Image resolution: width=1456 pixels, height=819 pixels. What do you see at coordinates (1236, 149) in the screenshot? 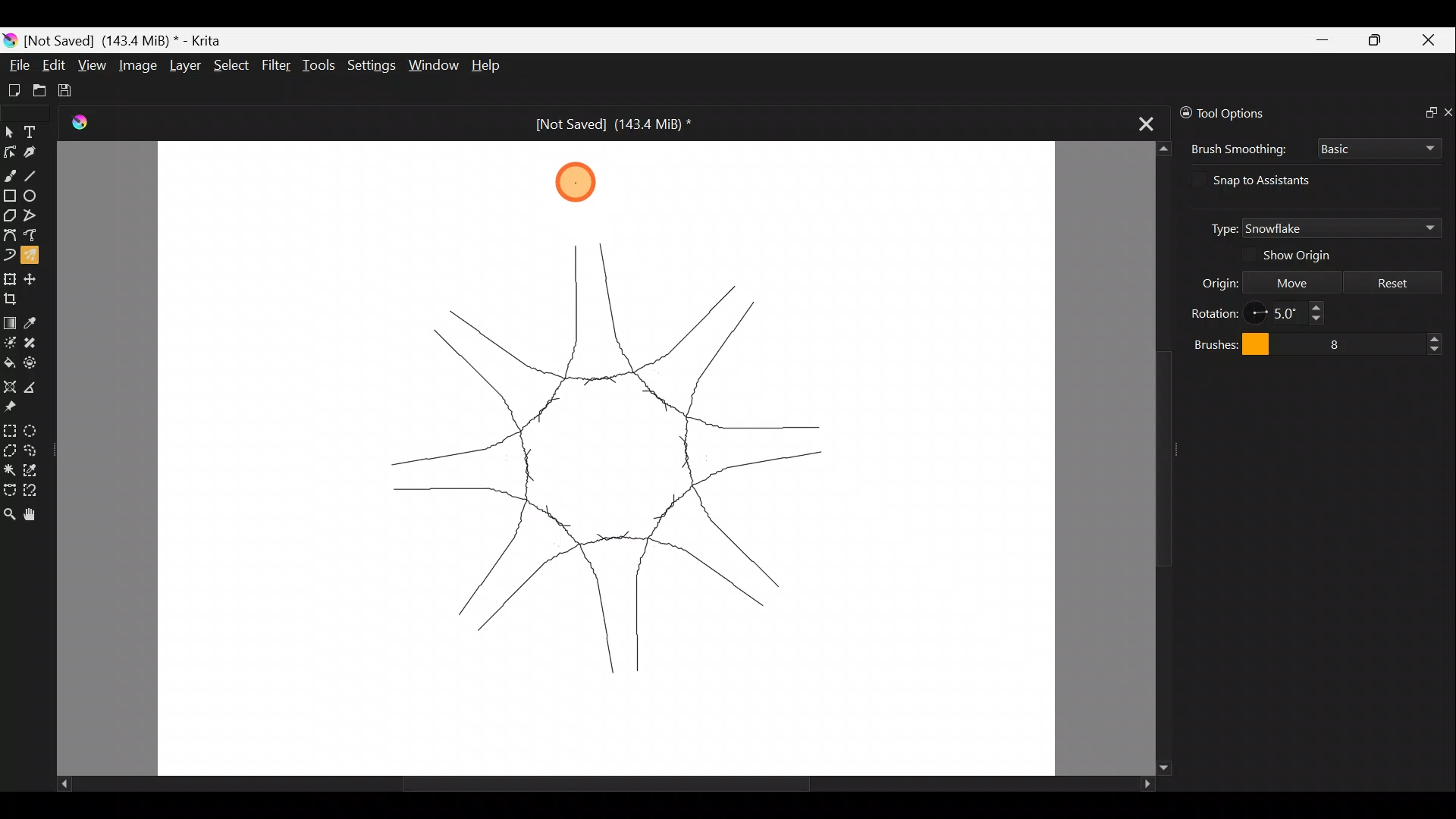
I see `Brush smoothing` at bounding box center [1236, 149].